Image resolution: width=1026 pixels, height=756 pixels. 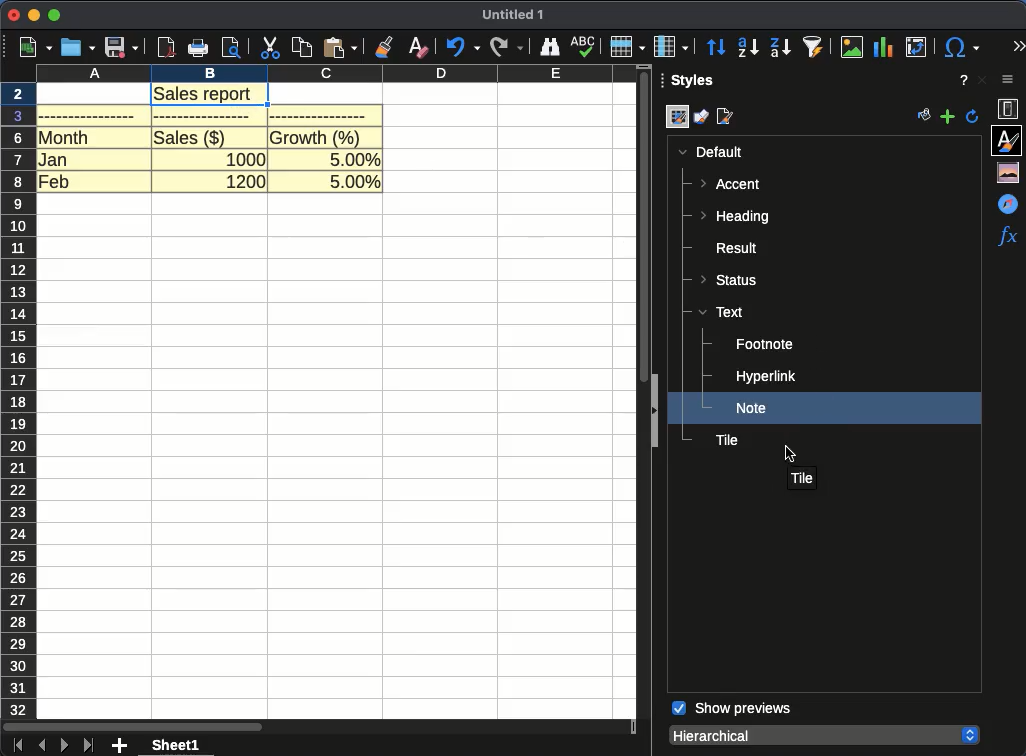 I want to click on styles, so click(x=695, y=83).